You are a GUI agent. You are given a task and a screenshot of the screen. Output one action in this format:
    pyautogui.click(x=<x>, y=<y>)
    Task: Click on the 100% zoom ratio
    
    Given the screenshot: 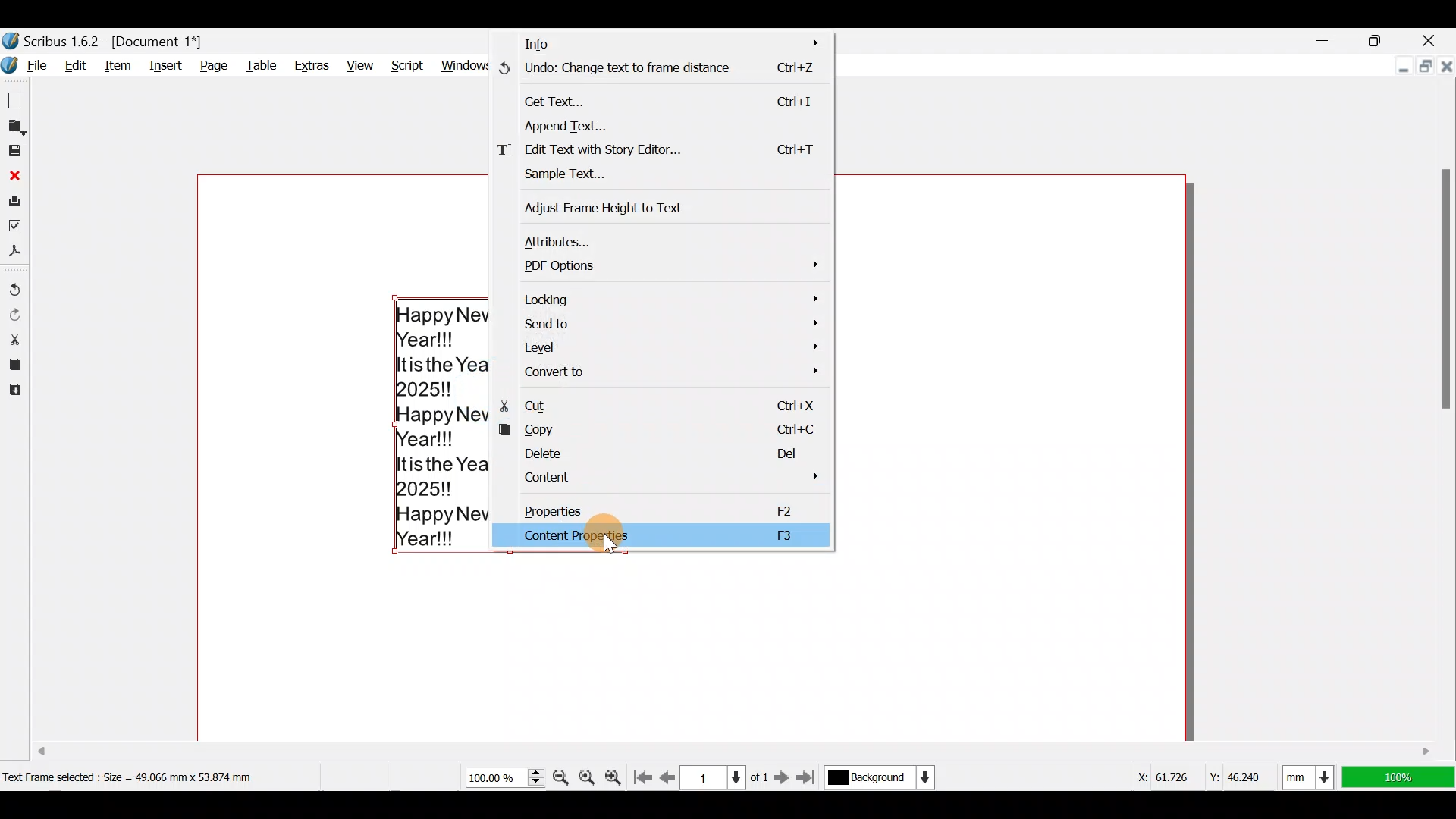 What is the action you would take?
    pyautogui.click(x=1401, y=777)
    